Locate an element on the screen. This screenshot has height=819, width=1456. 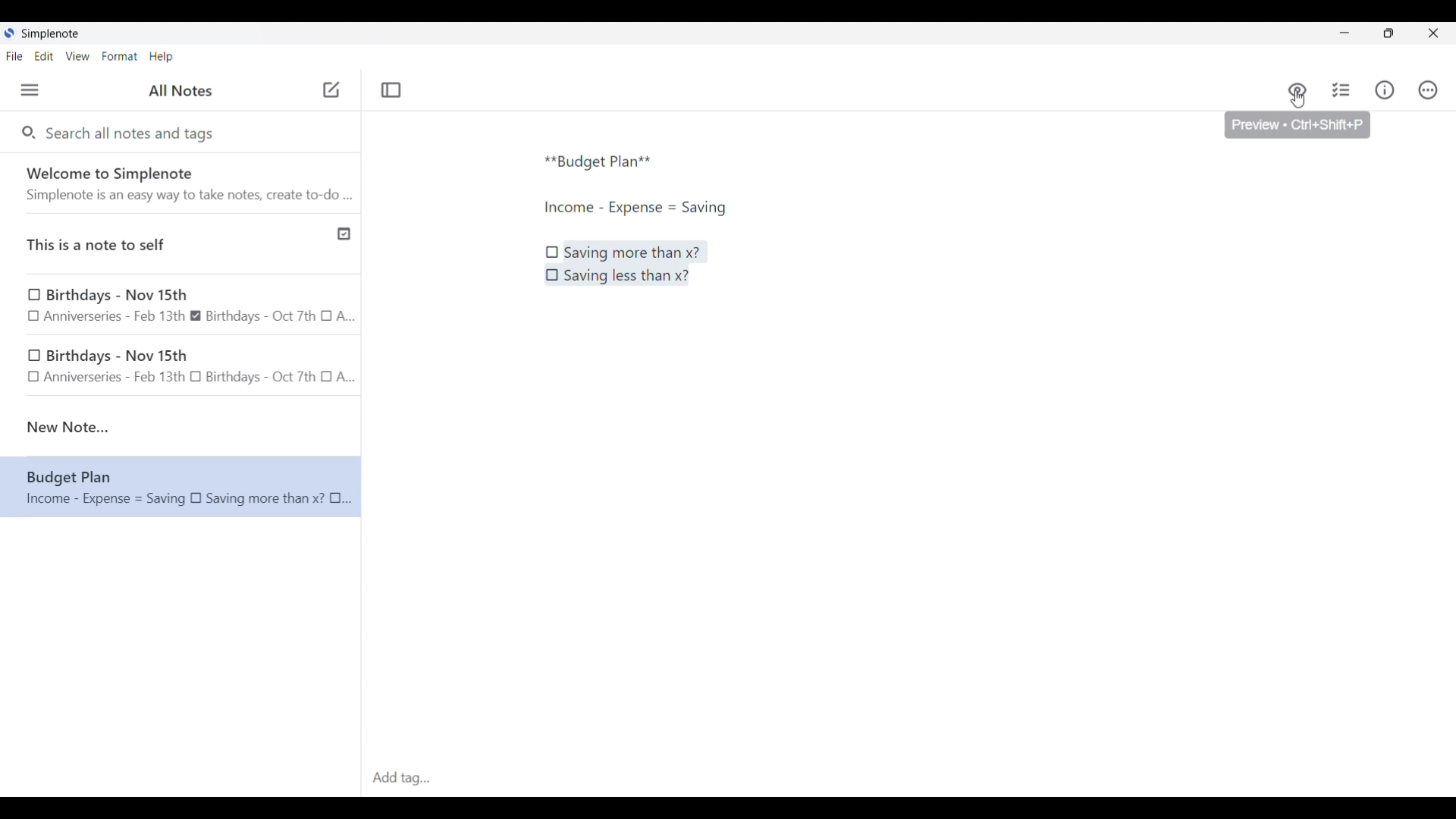
Title of left side panel is located at coordinates (180, 91).